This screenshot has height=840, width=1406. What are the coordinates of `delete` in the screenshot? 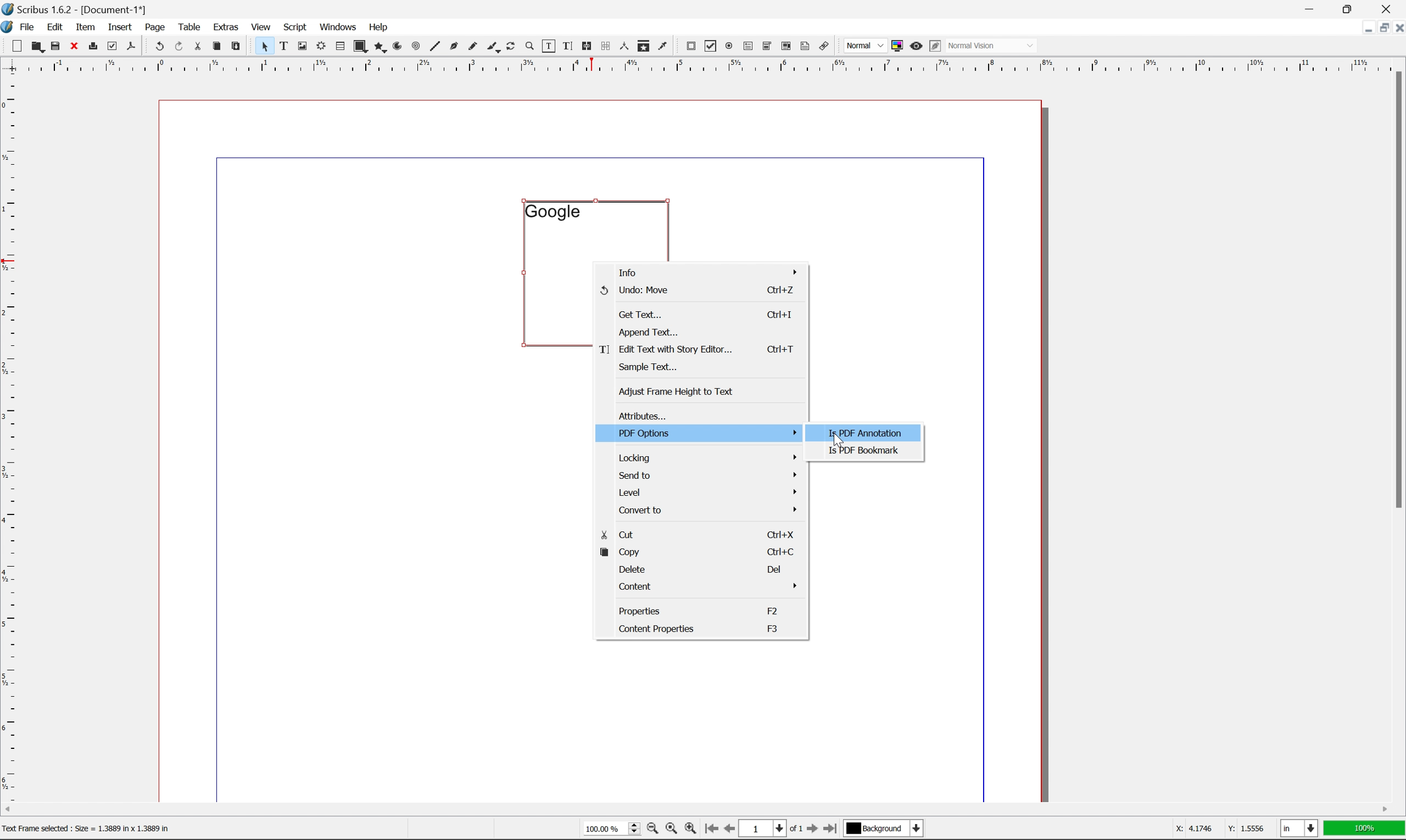 It's located at (632, 569).